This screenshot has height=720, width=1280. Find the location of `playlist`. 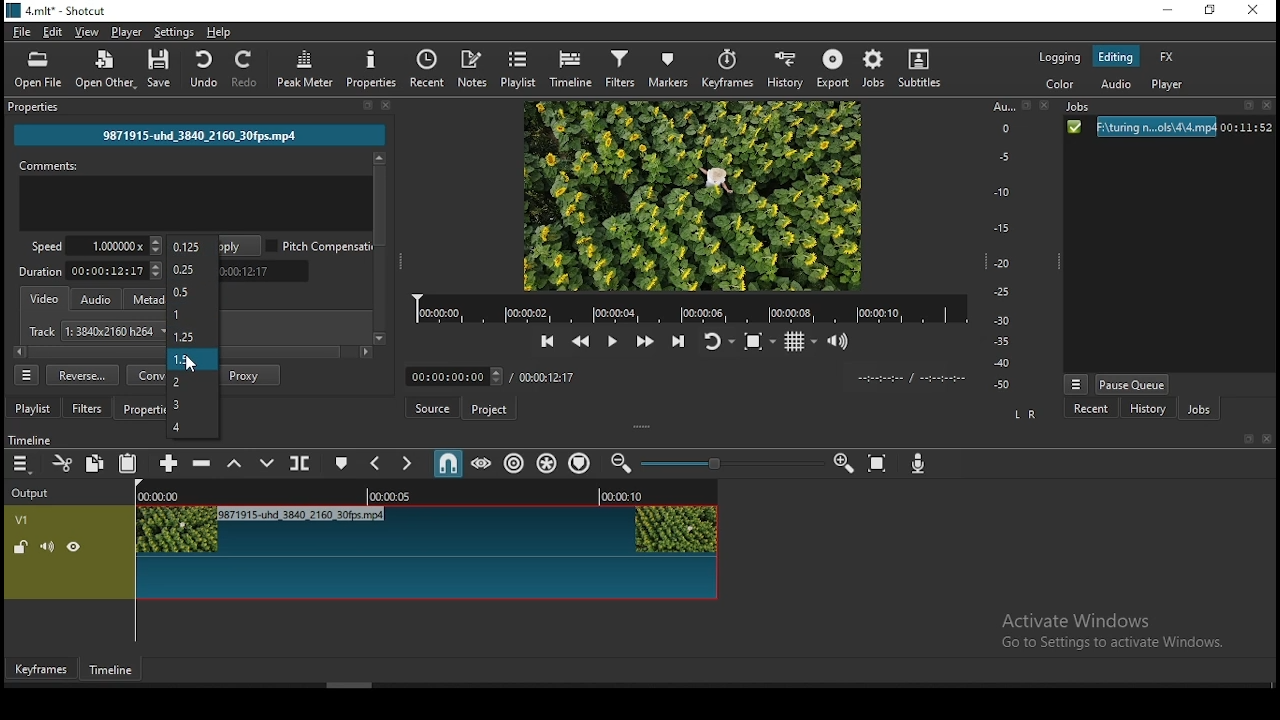

playlist is located at coordinates (33, 407).